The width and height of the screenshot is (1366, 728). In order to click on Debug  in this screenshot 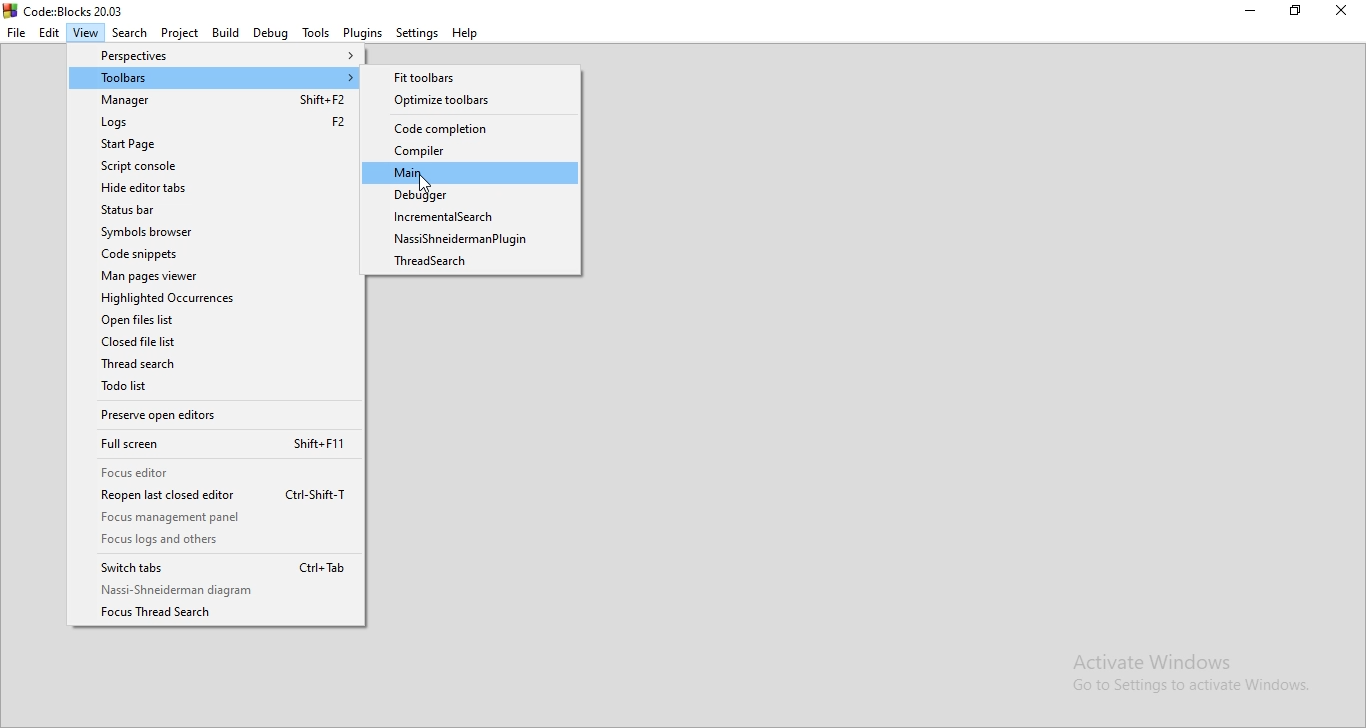, I will do `click(271, 32)`.